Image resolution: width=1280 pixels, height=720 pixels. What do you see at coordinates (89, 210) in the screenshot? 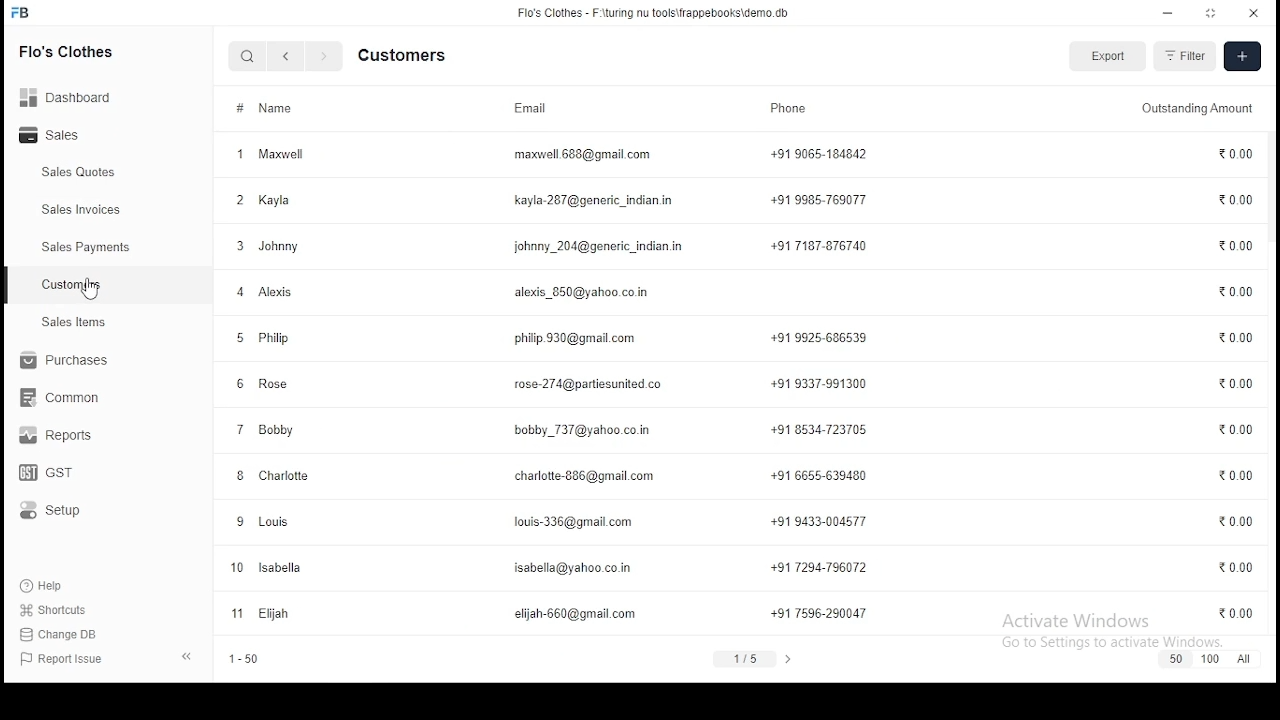
I see `Sales Invoices` at bounding box center [89, 210].